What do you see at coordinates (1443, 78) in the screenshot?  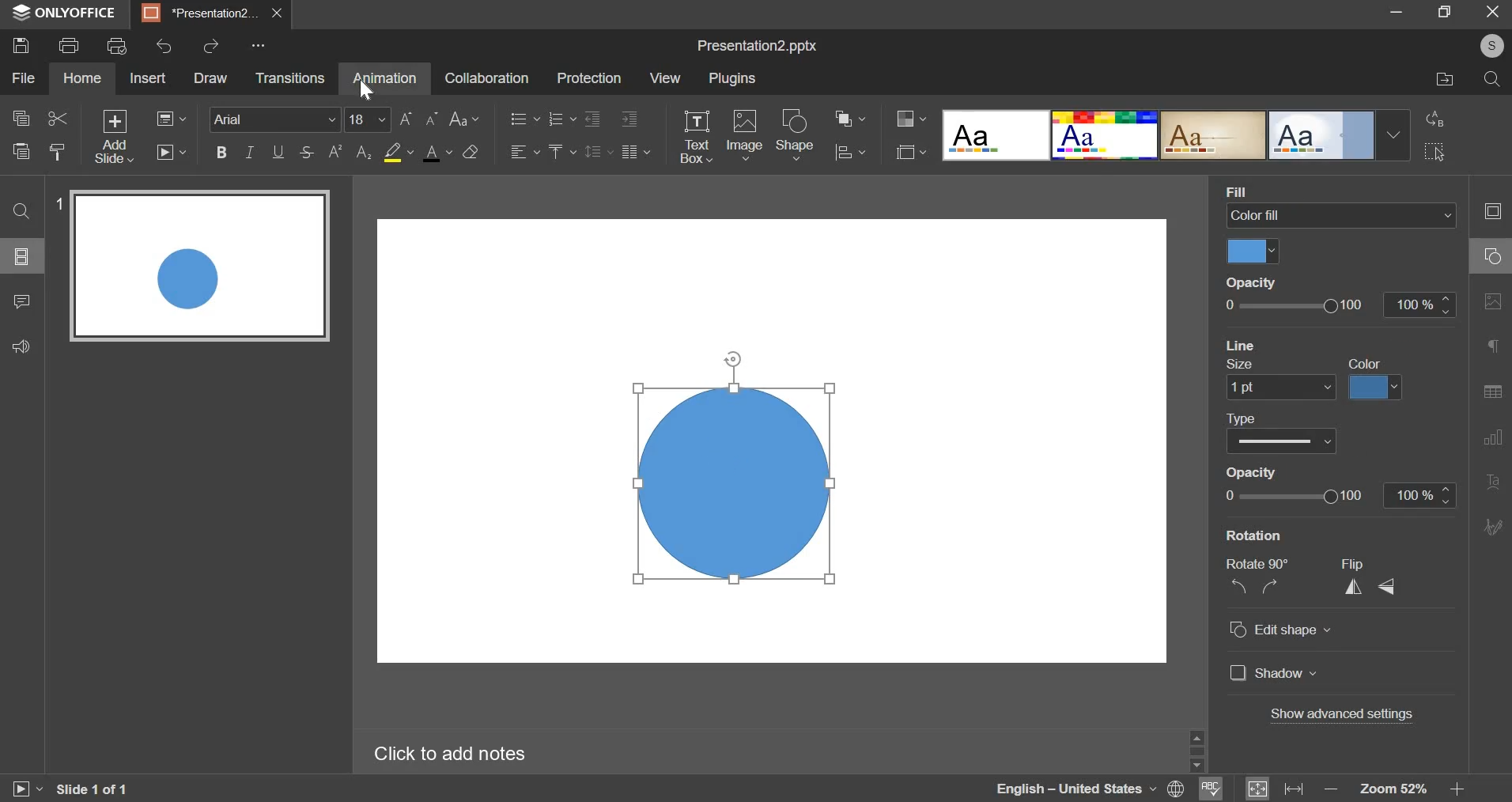 I see `file location` at bounding box center [1443, 78].